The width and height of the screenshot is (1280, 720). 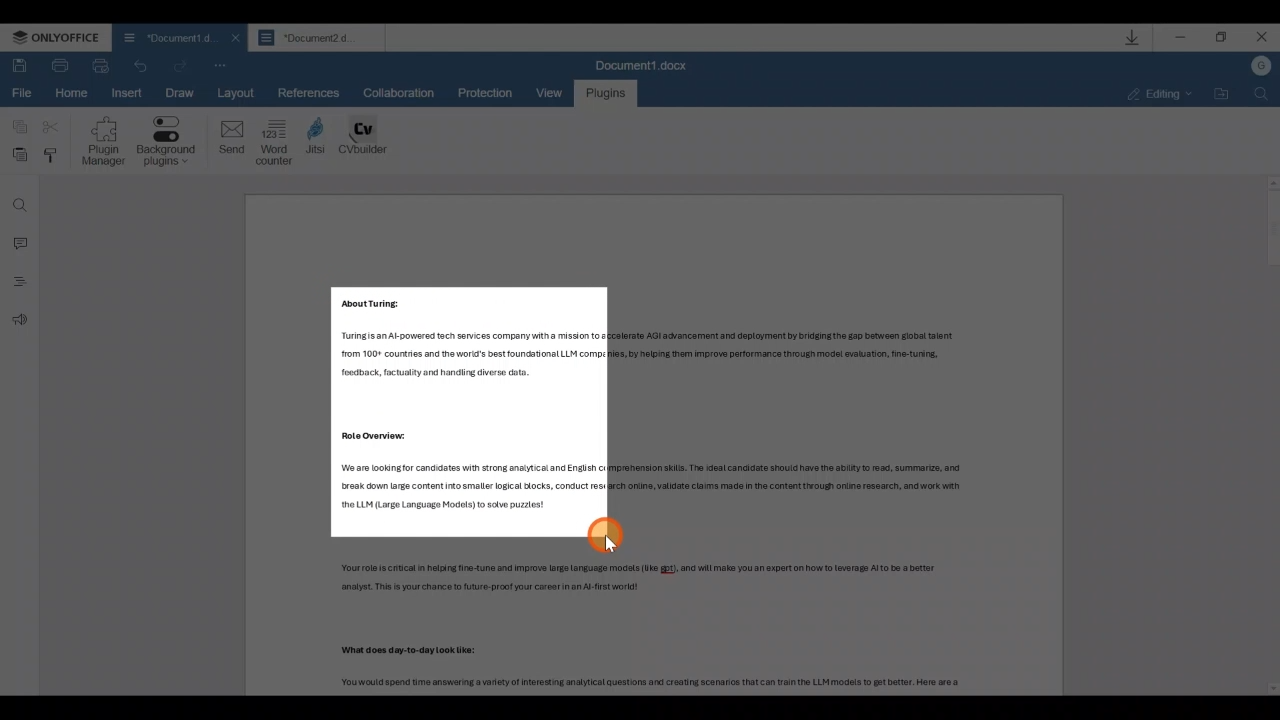 I want to click on CV builder, so click(x=364, y=139).